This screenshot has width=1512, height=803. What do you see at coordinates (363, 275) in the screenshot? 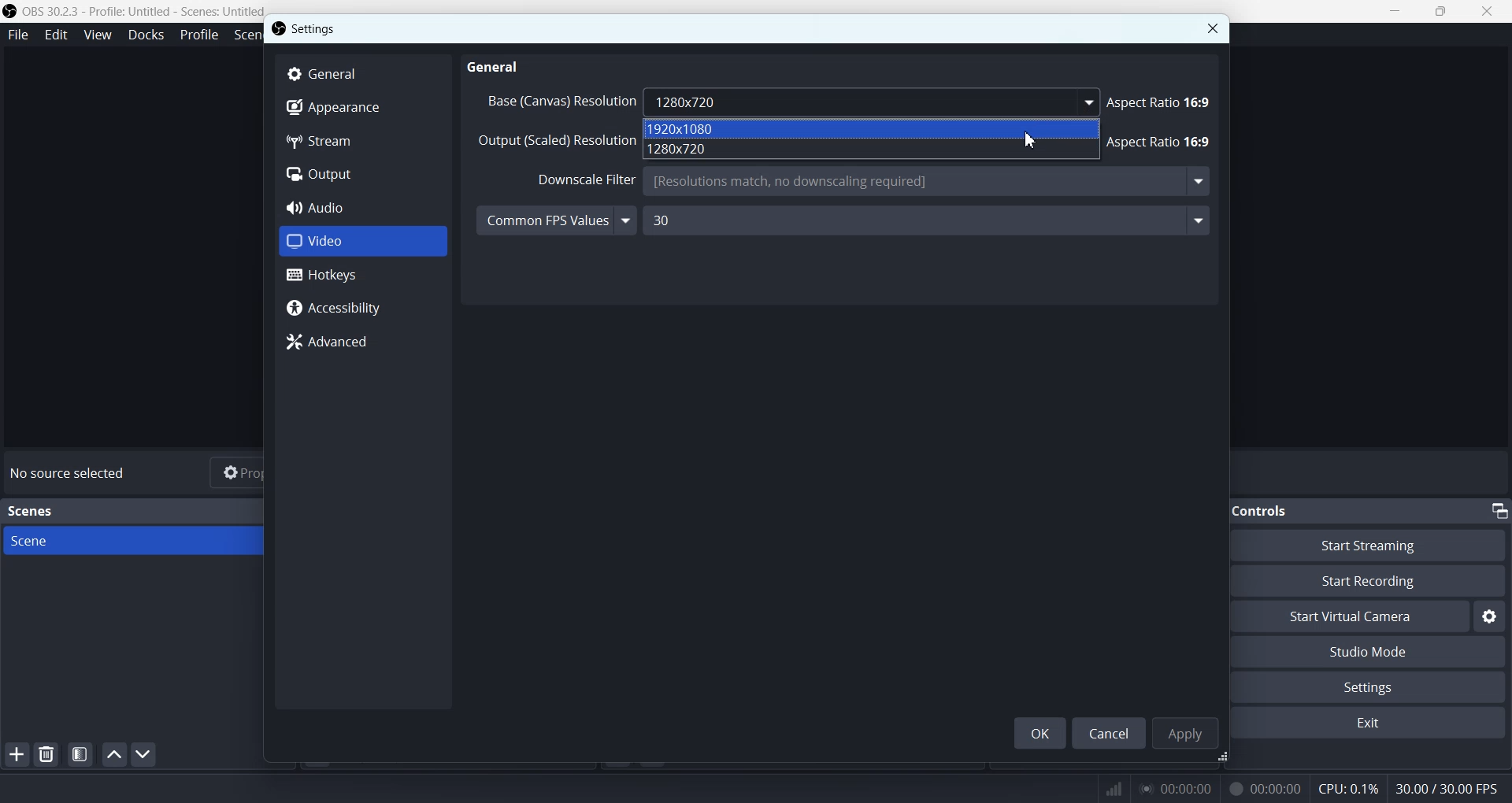
I see `Hotkeys` at bounding box center [363, 275].